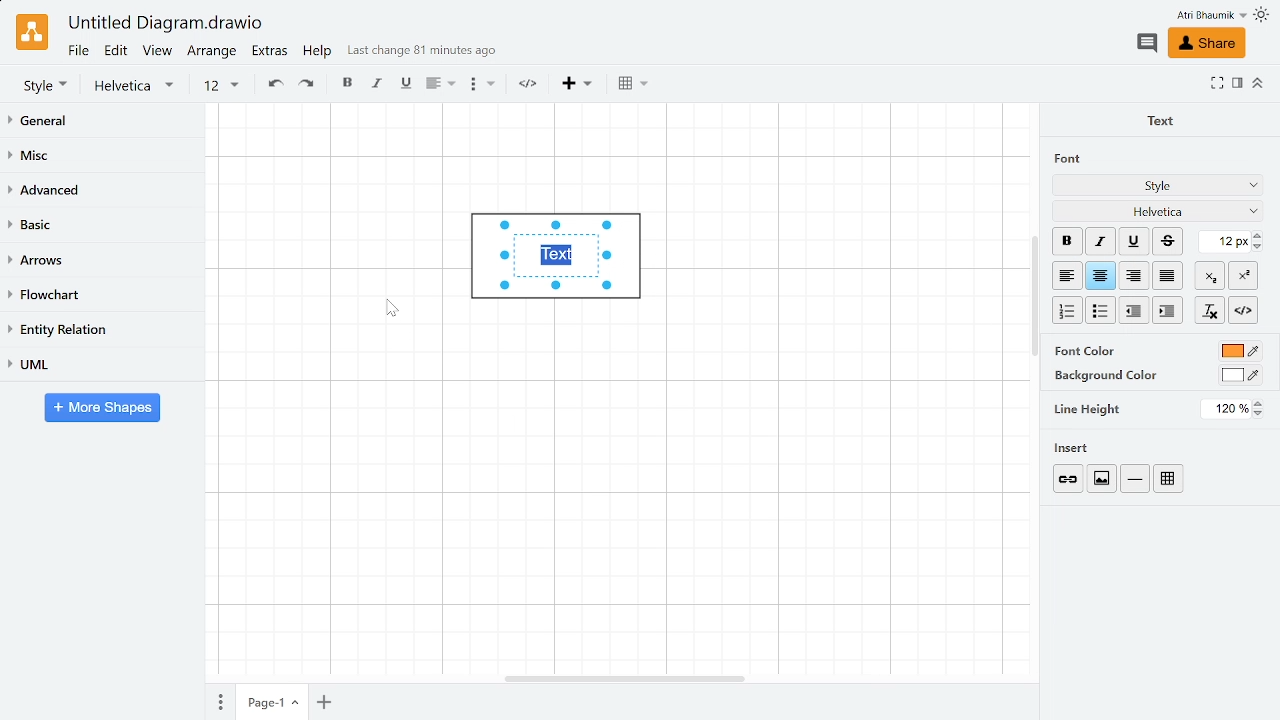 The width and height of the screenshot is (1280, 720). Describe the element at coordinates (1078, 448) in the screenshot. I see `insert` at that location.